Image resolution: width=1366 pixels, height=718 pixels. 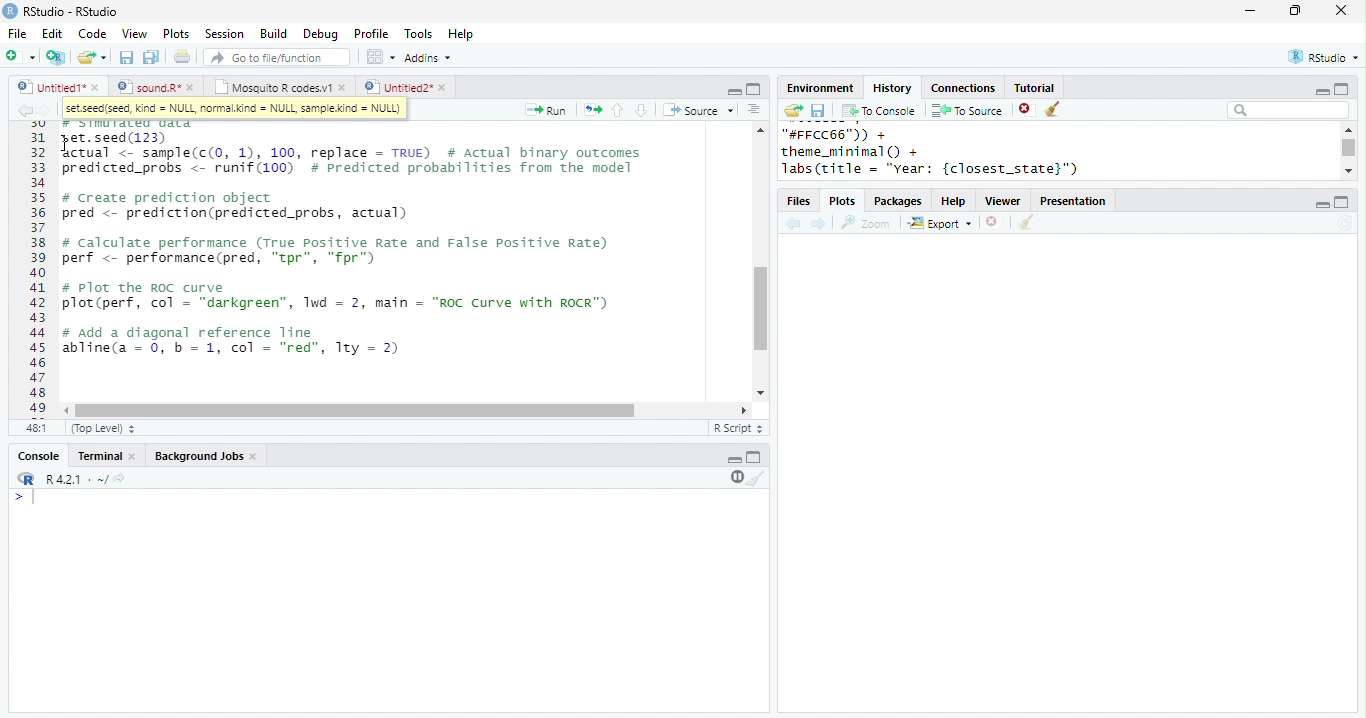 I want to click on Mosquito R codes.v1, so click(x=273, y=87).